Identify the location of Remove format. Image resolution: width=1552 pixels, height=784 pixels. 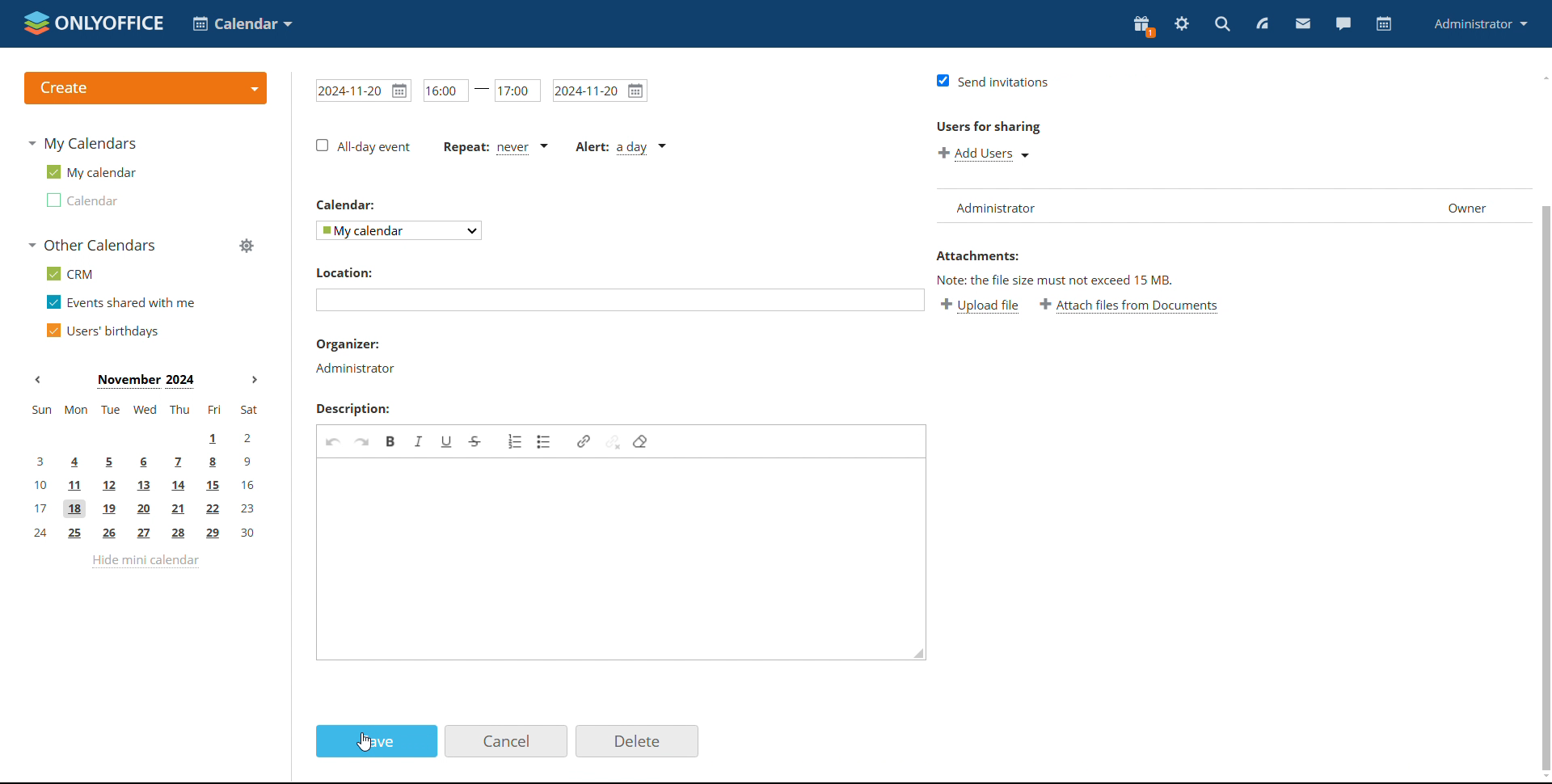
(640, 442).